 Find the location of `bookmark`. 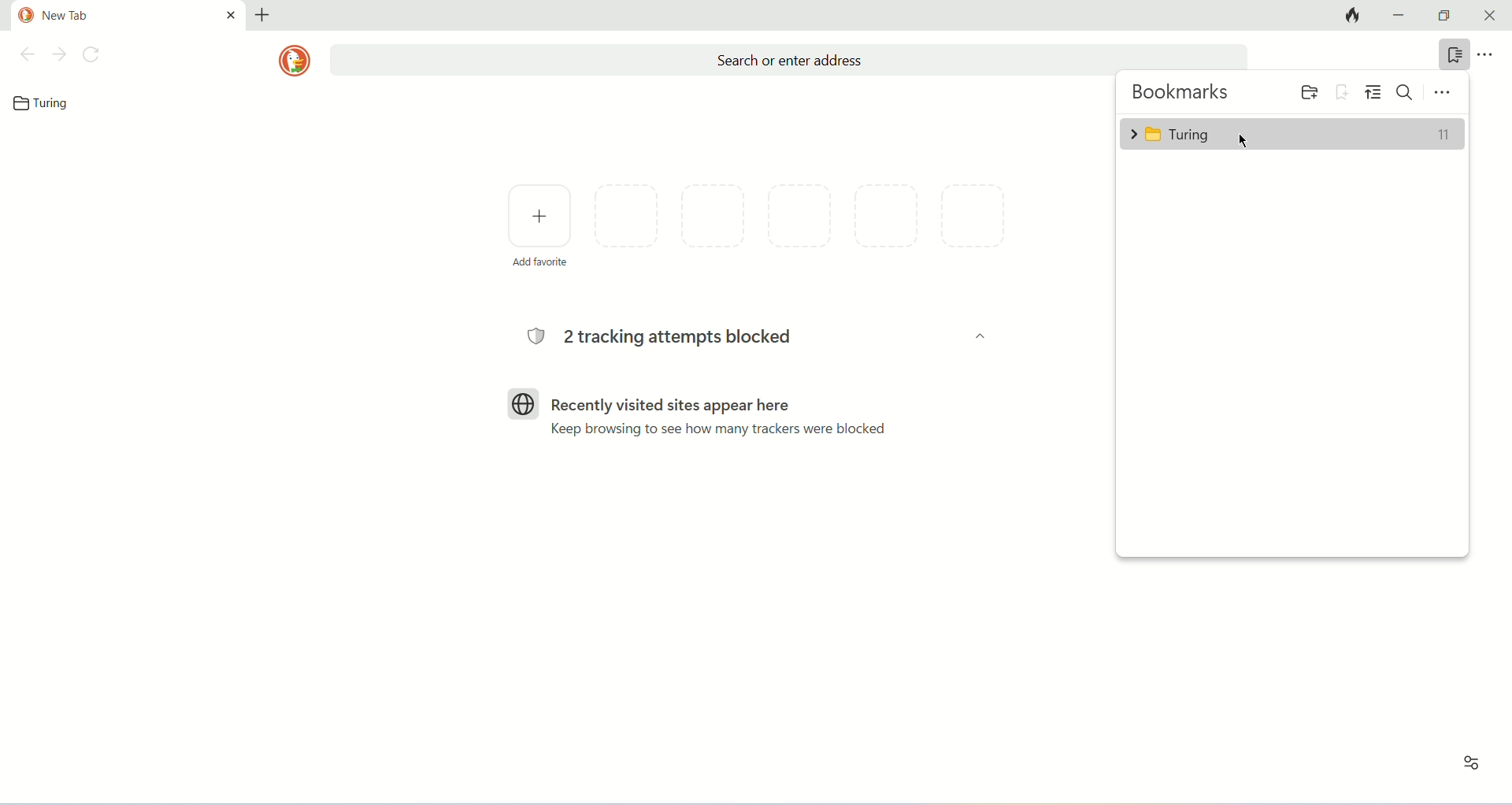

bookmark is located at coordinates (46, 103).